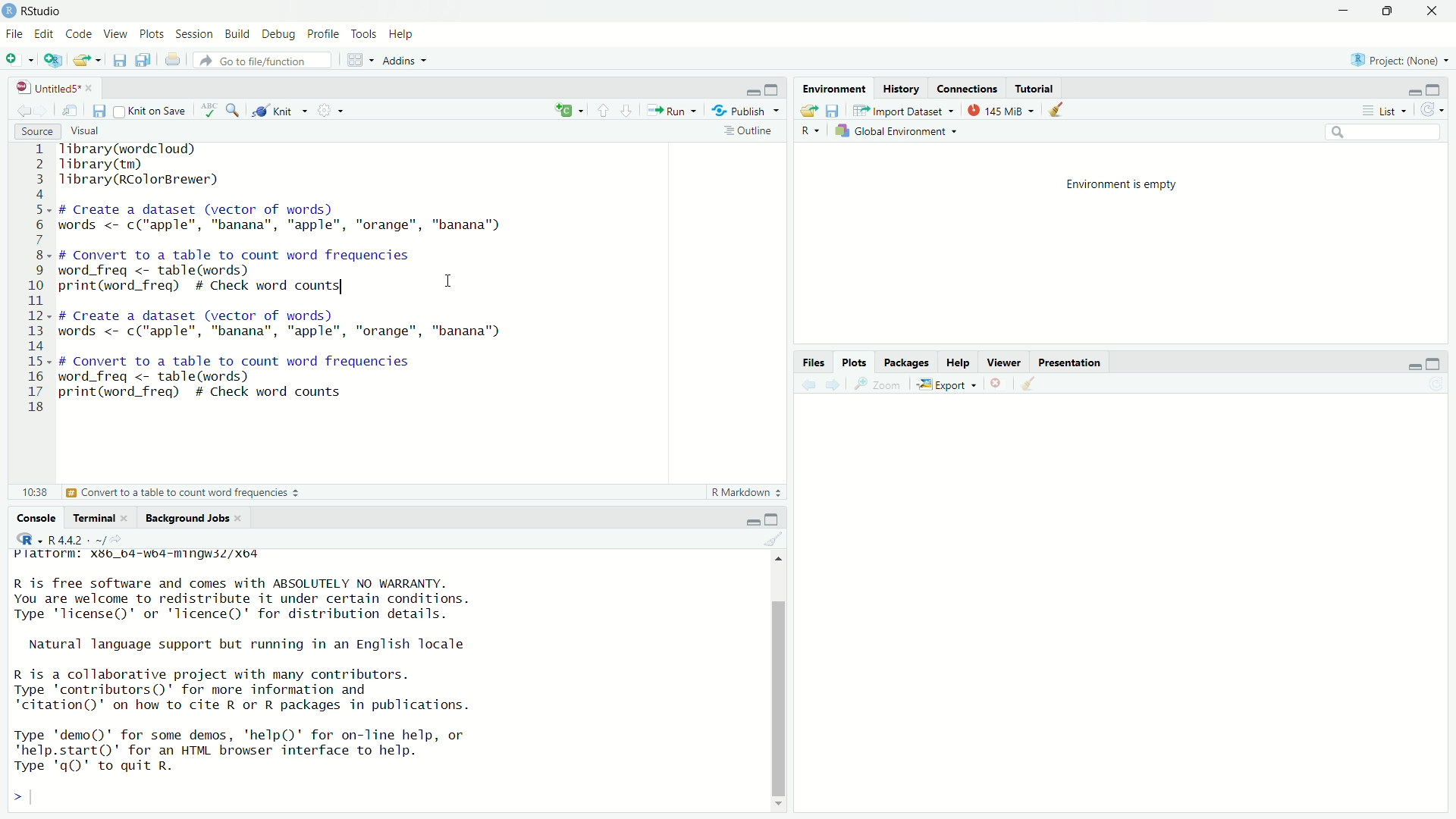 This screenshot has height=819, width=1456. I want to click on Revert changes, so click(1430, 110).